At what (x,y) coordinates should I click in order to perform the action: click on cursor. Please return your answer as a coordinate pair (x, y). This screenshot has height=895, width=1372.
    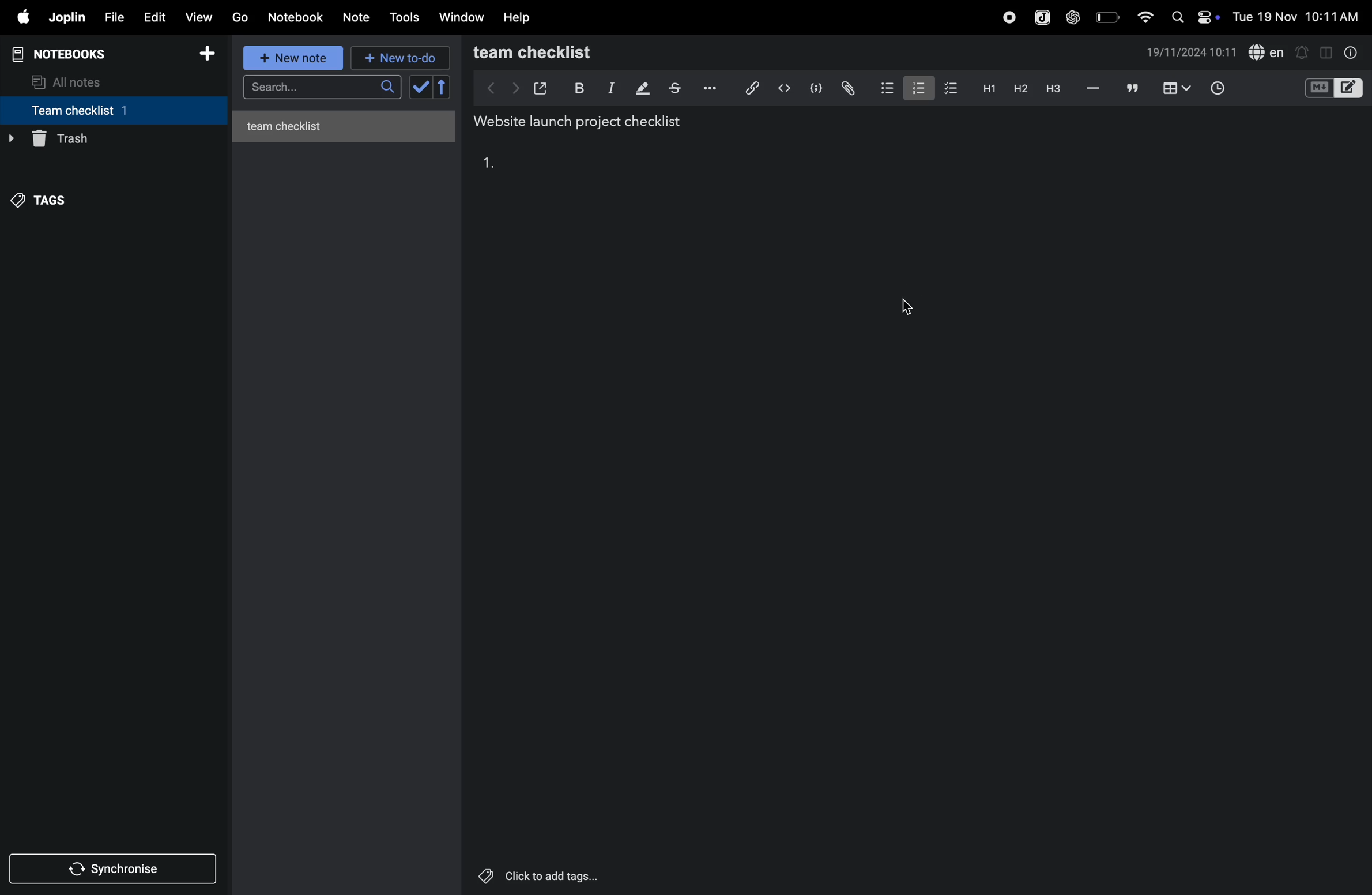
    Looking at the image, I should click on (907, 306).